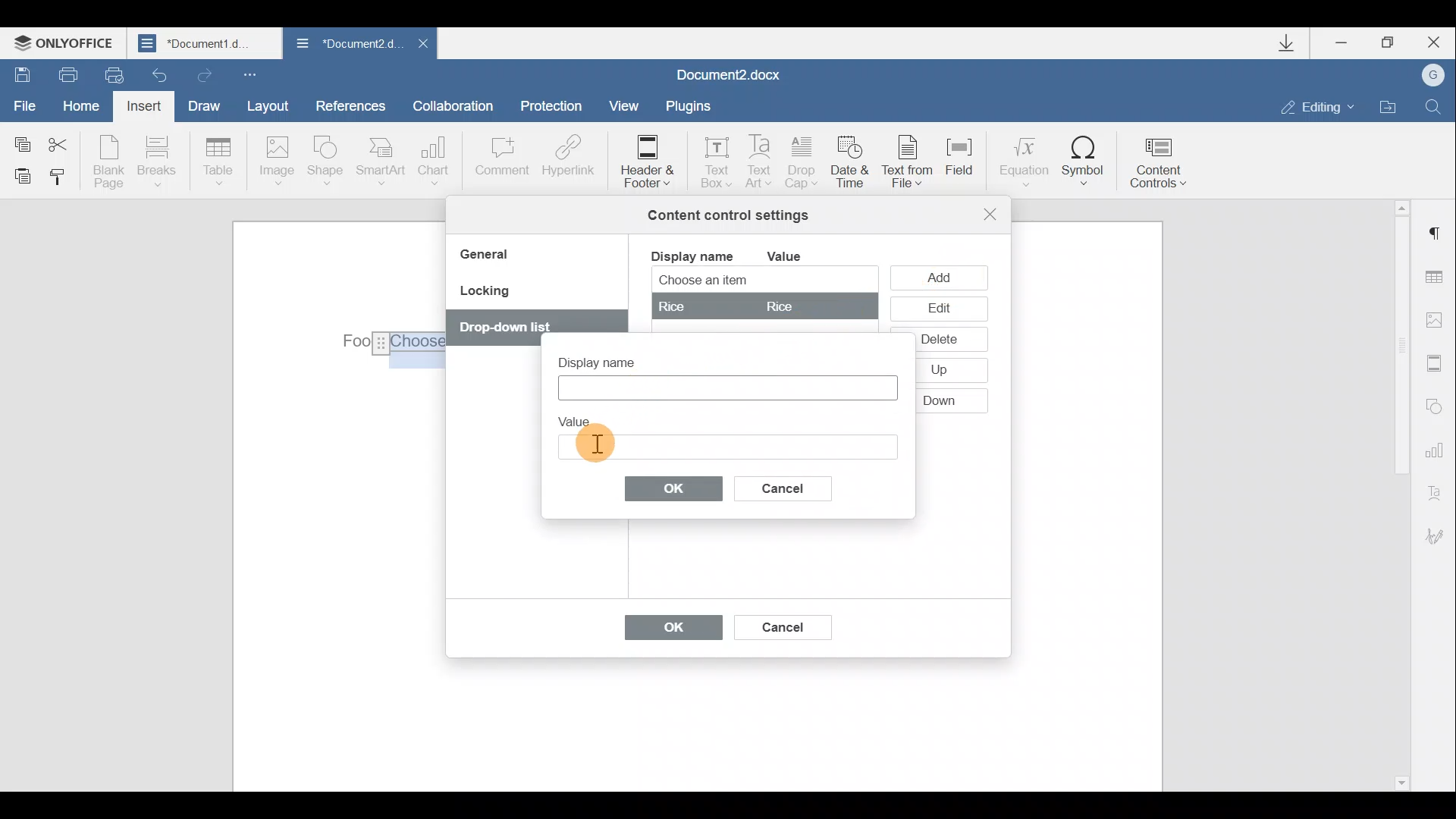  What do you see at coordinates (437, 161) in the screenshot?
I see `Chart` at bounding box center [437, 161].